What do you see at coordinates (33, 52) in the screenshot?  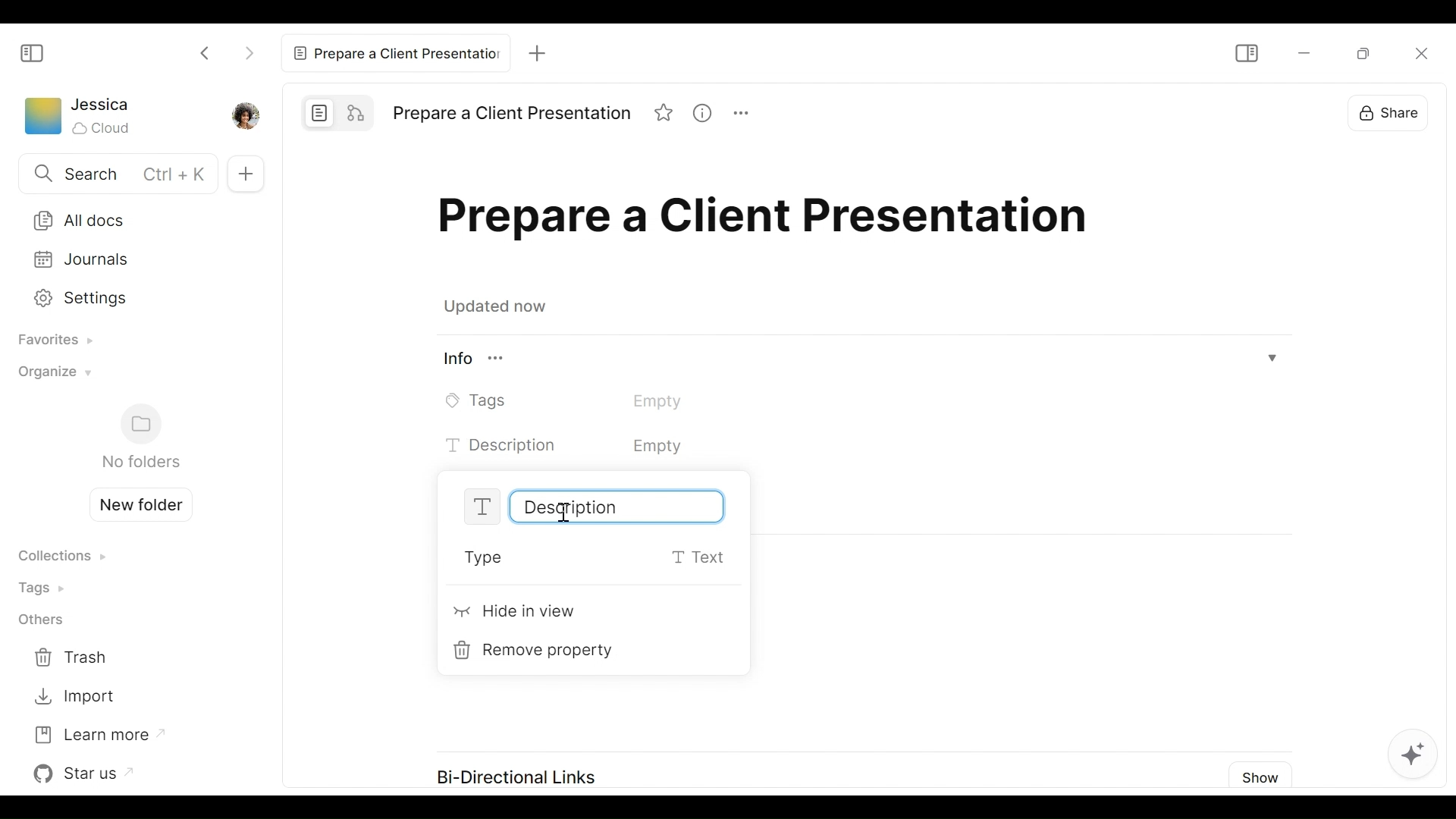 I see `Show/Hide Sidebar` at bounding box center [33, 52].